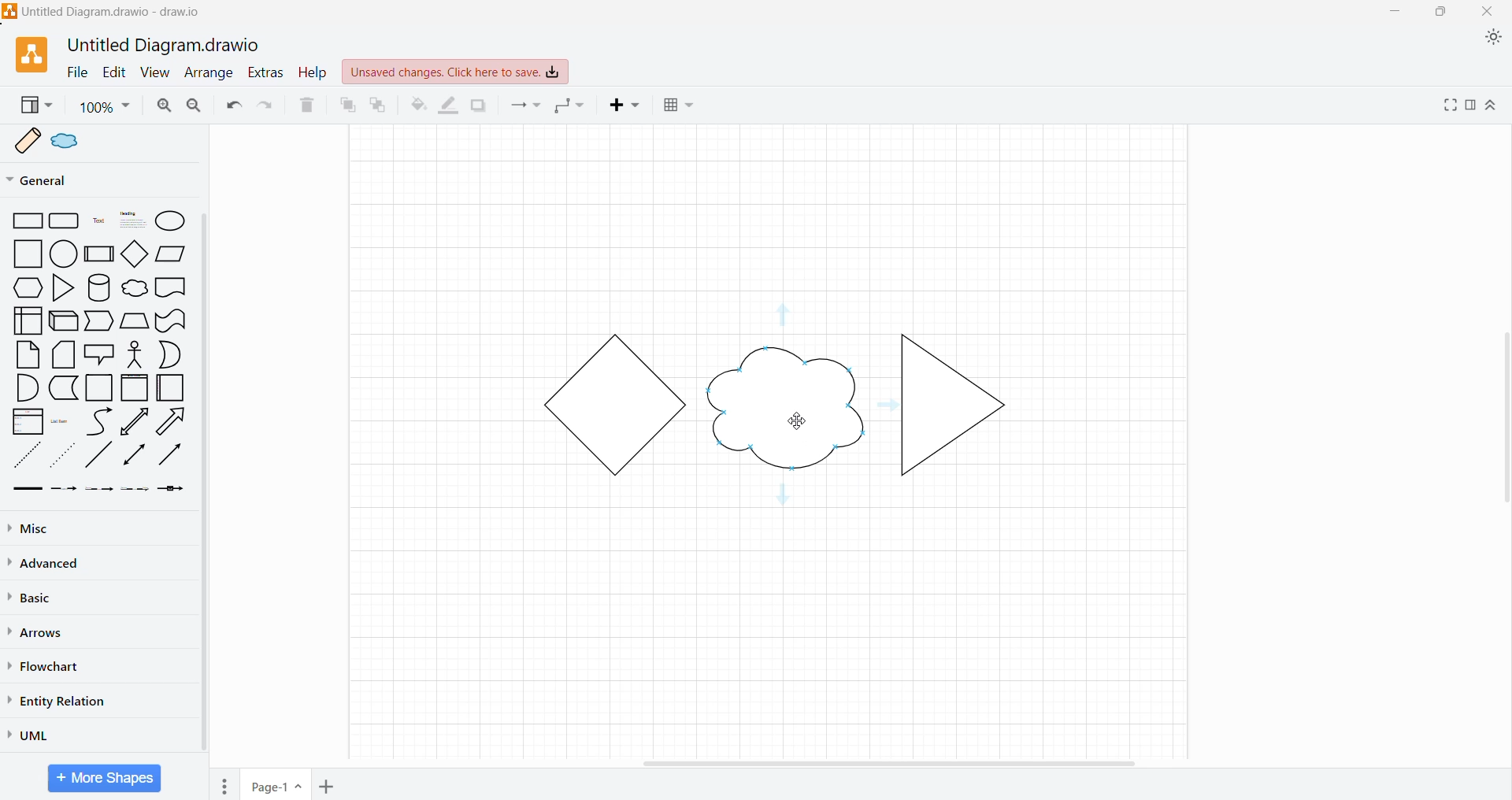  Describe the element at coordinates (773, 222) in the screenshot. I see `Canvas area` at that location.